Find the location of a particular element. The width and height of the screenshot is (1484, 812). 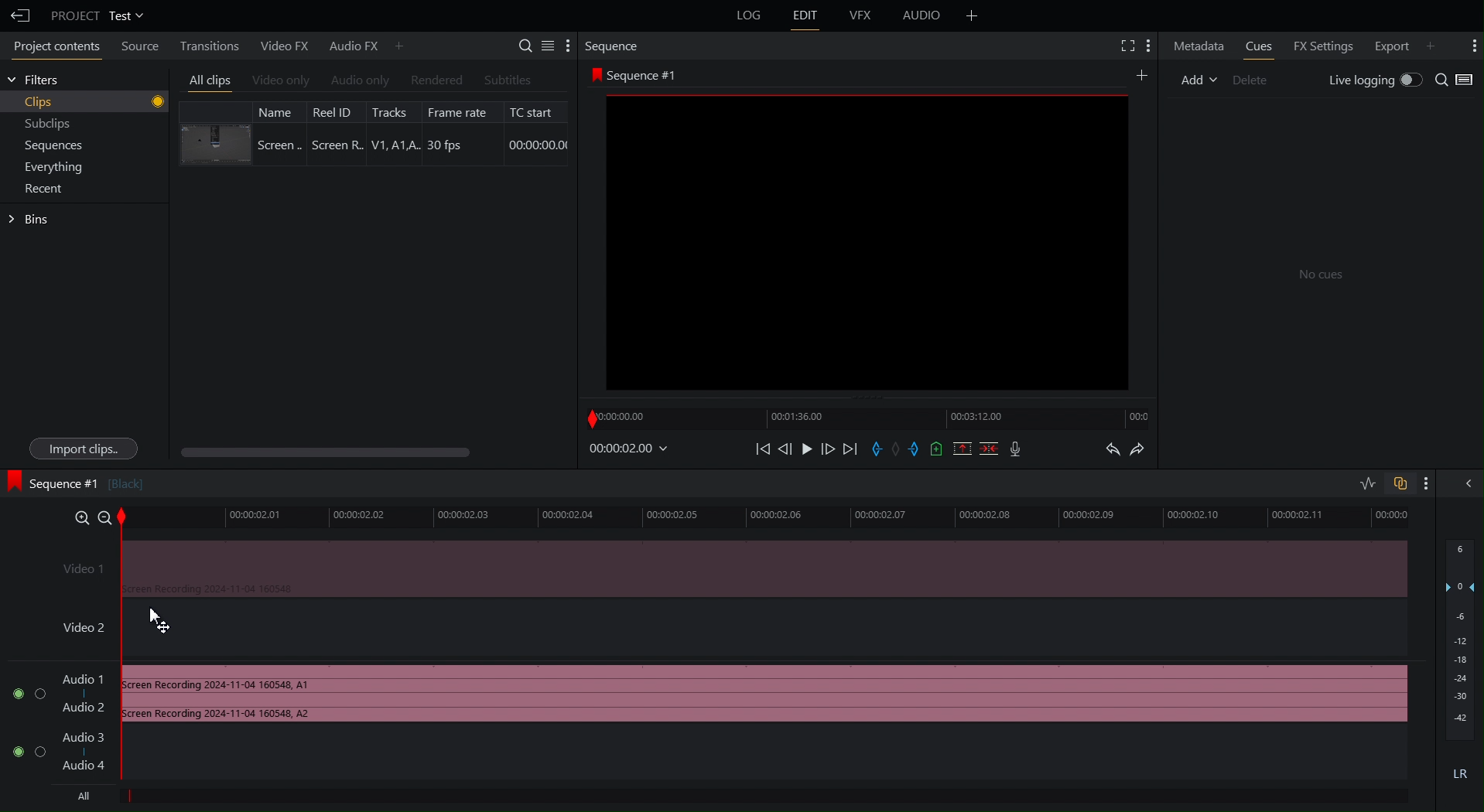

Delete is located at coordinates (1249, 78).